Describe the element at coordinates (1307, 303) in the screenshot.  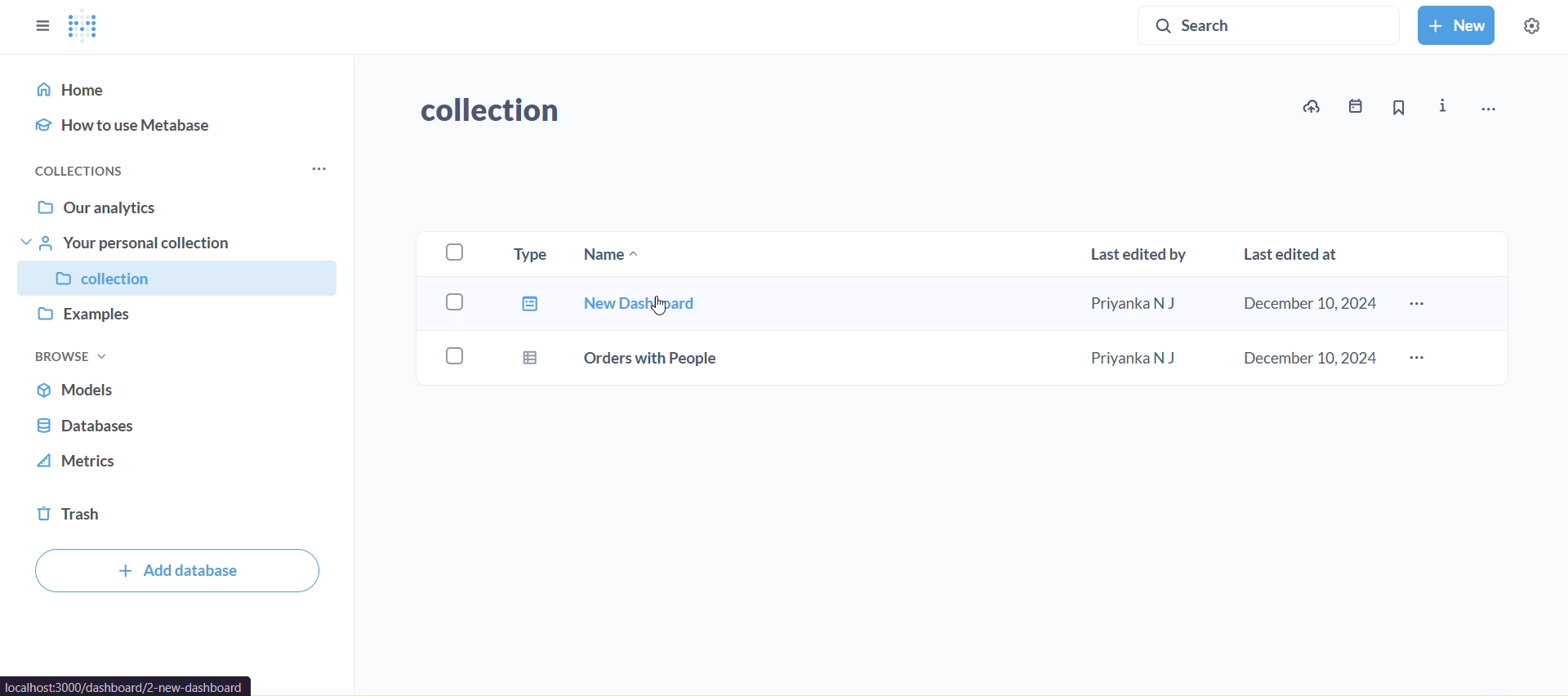
I see `december 10, 2024` at that location.